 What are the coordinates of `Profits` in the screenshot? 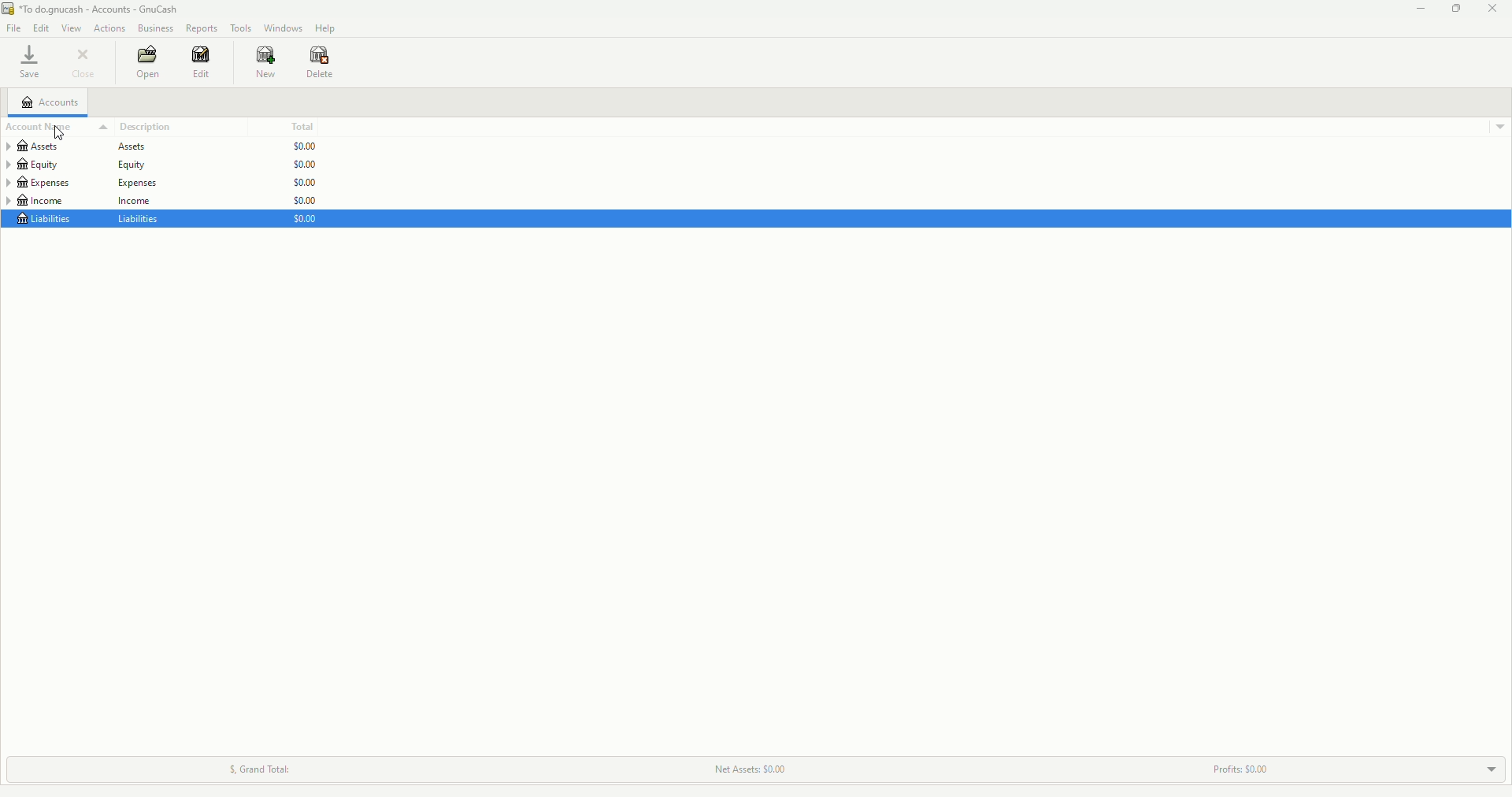 It's located at (1240, 766).